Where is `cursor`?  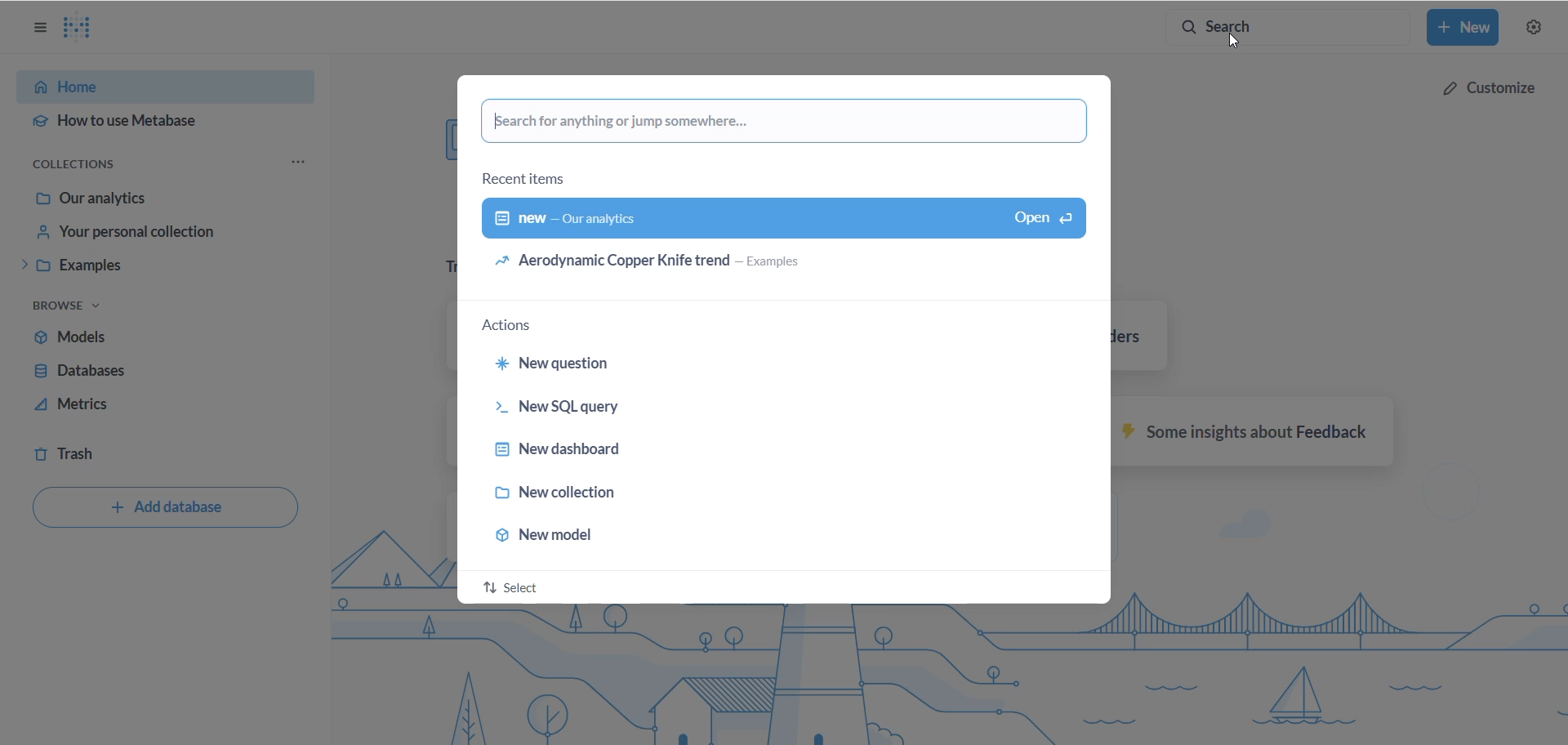
cursor is located at coordinates (1241, 39).